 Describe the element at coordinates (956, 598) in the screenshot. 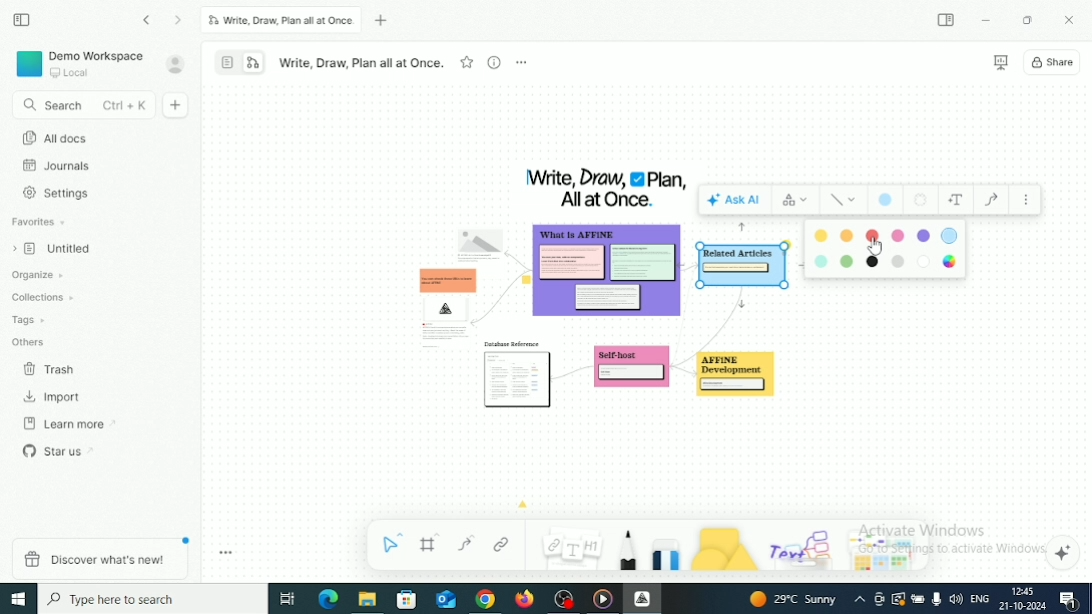

I see `Speakers` at that location.